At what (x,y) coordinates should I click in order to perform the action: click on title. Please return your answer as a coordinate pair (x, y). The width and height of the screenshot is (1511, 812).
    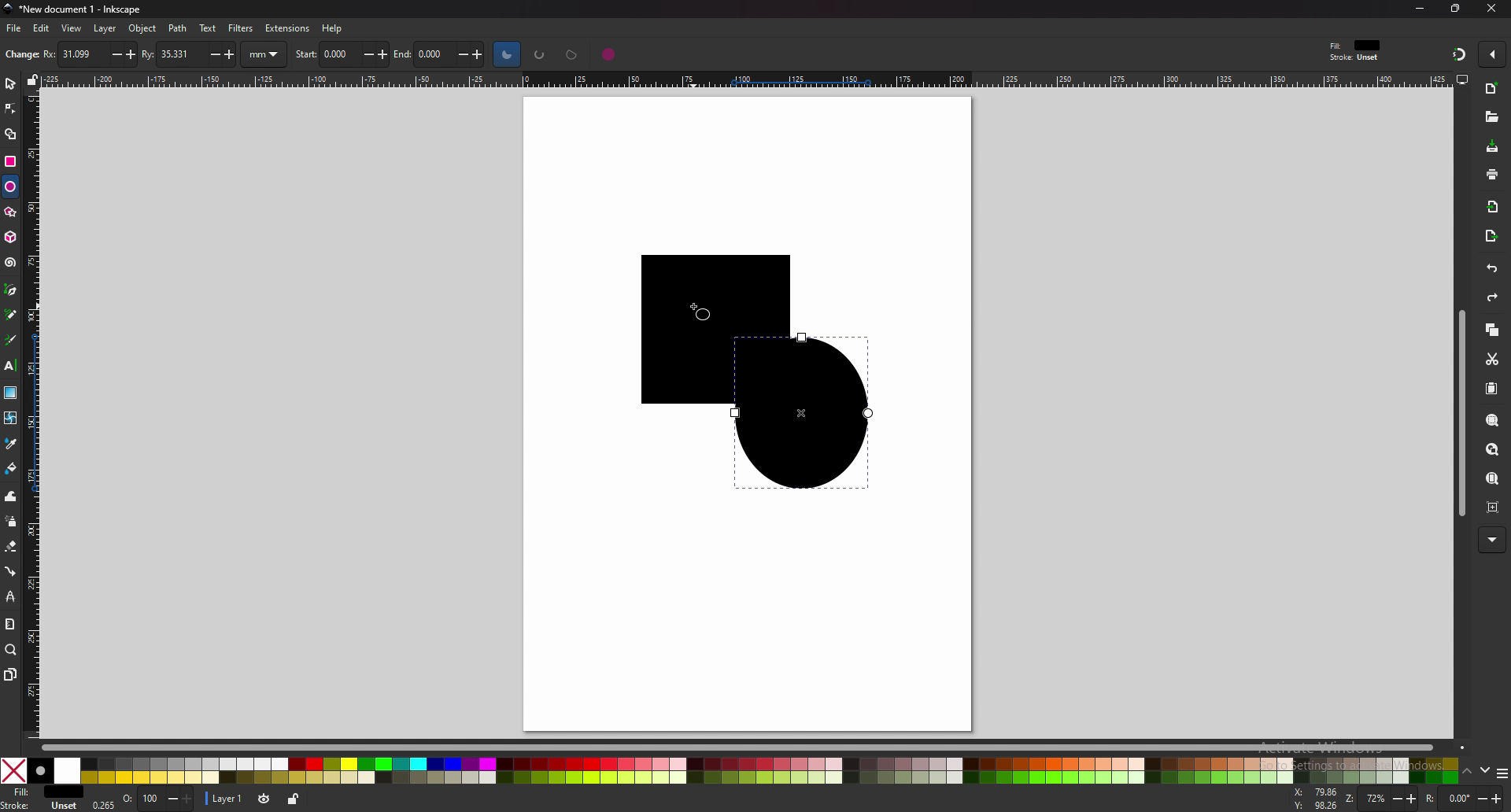
    Looking at the image, I should click on (71, 9).